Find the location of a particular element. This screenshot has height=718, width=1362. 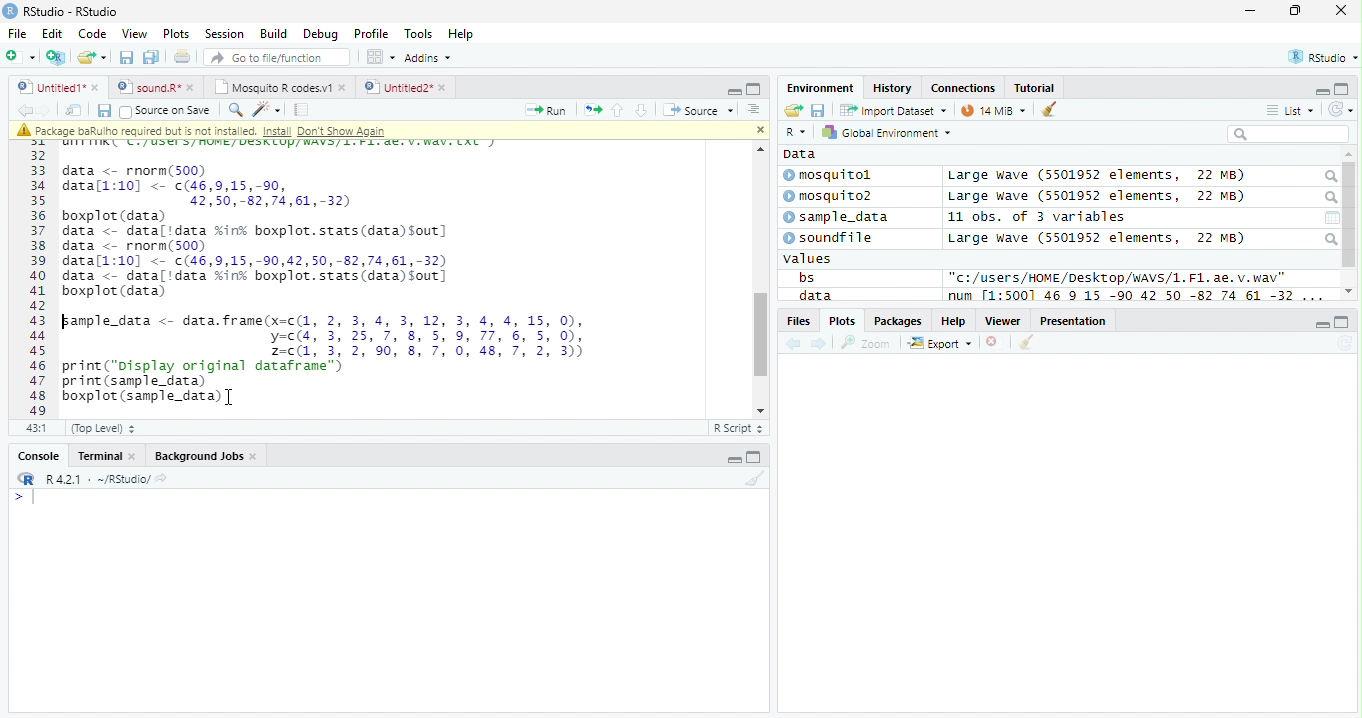

search is located at coordinates (1330, 239).